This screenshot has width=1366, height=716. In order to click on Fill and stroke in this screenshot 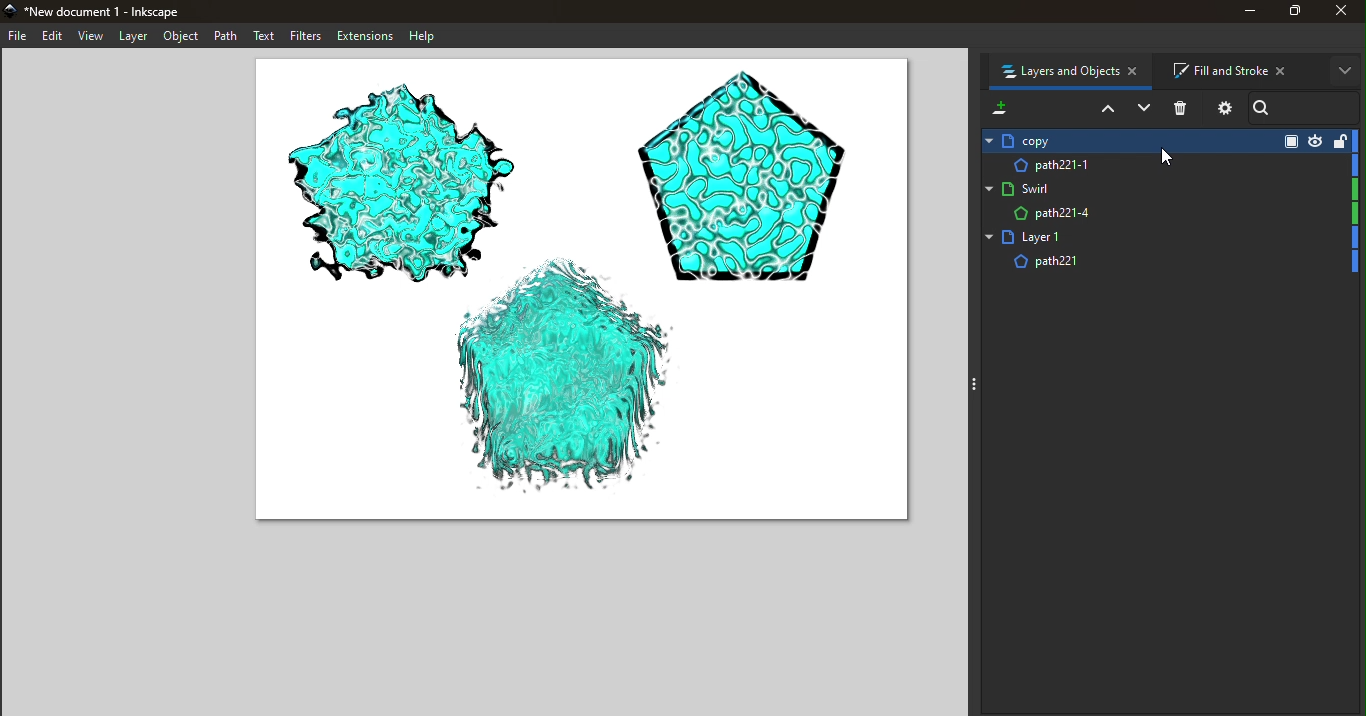, I will do `click(1237, 69)`.